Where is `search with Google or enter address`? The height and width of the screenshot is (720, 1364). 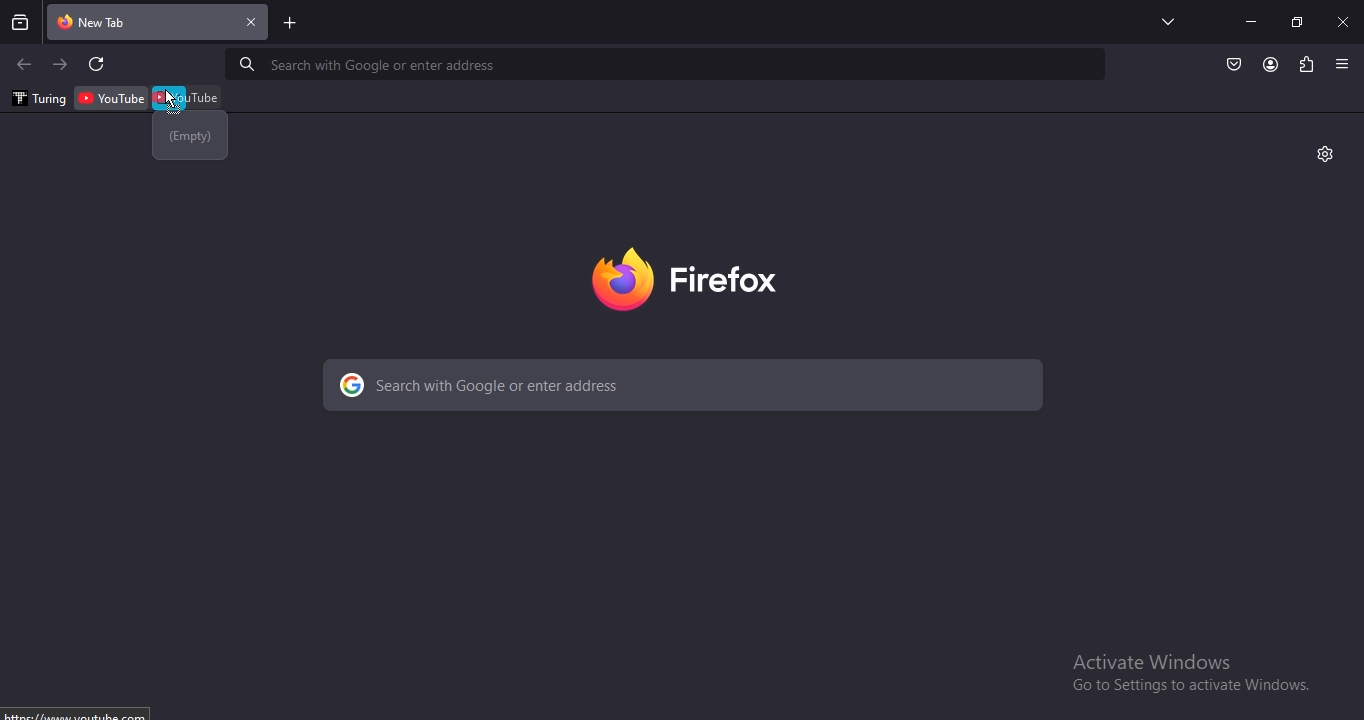 search with Google or enter address is located at coordinates (567, 382).